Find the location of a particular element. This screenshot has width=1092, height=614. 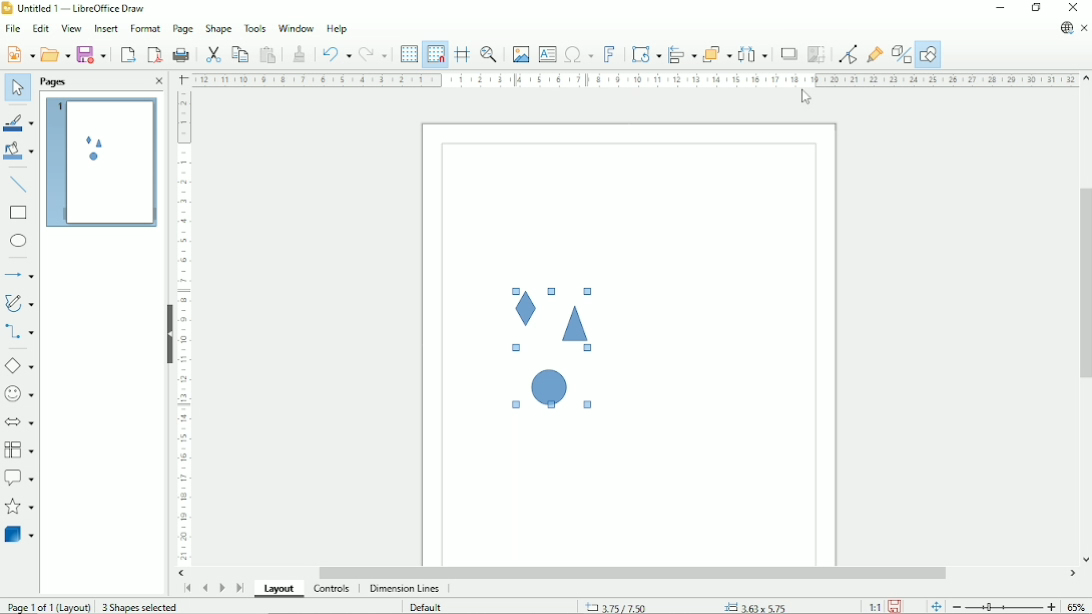

Toggle point edit mode is located at coordinates (847, 54).